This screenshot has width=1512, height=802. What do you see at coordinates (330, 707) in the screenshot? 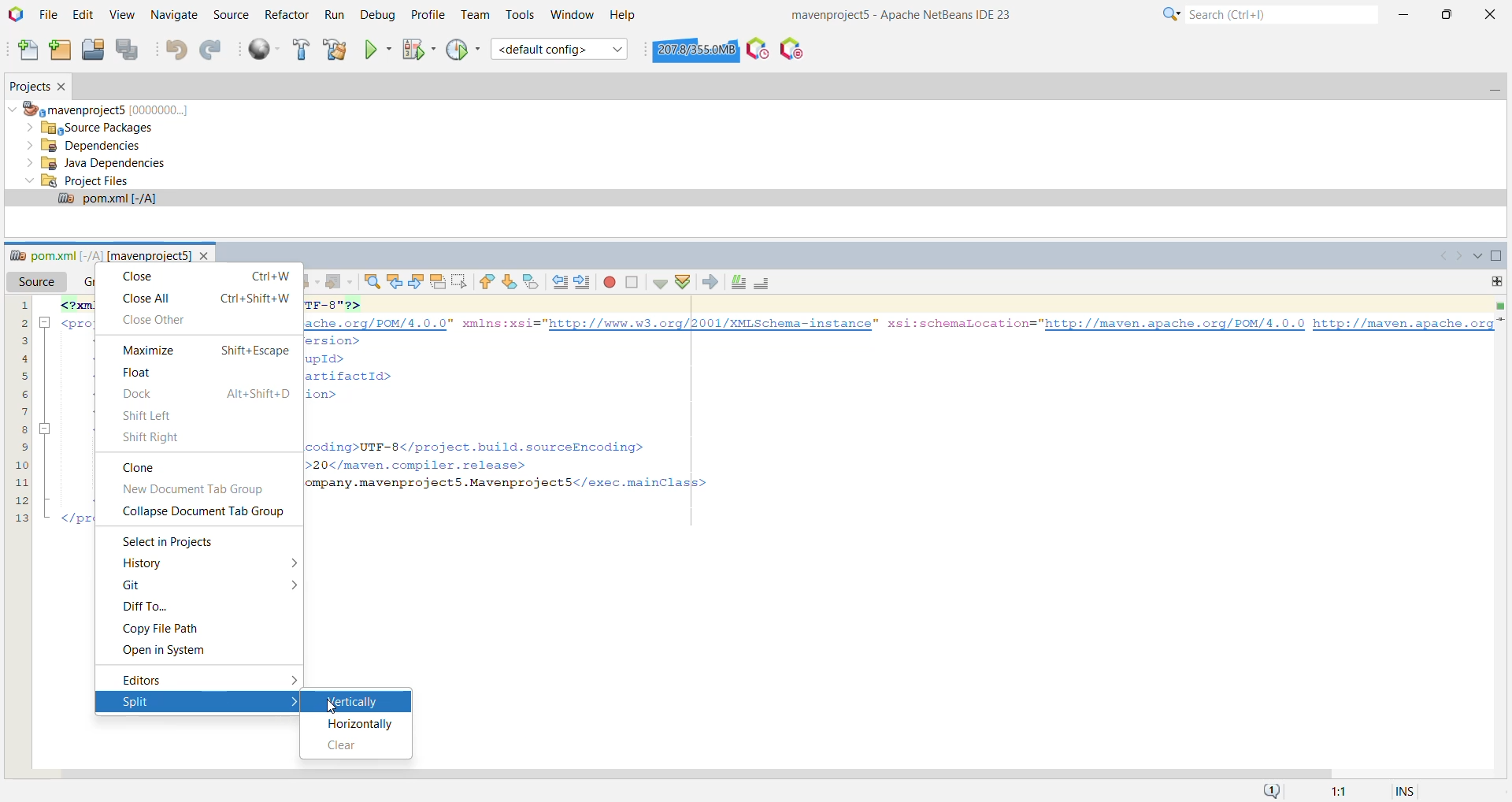
I see `cursor` at bounding box center [330, 707].